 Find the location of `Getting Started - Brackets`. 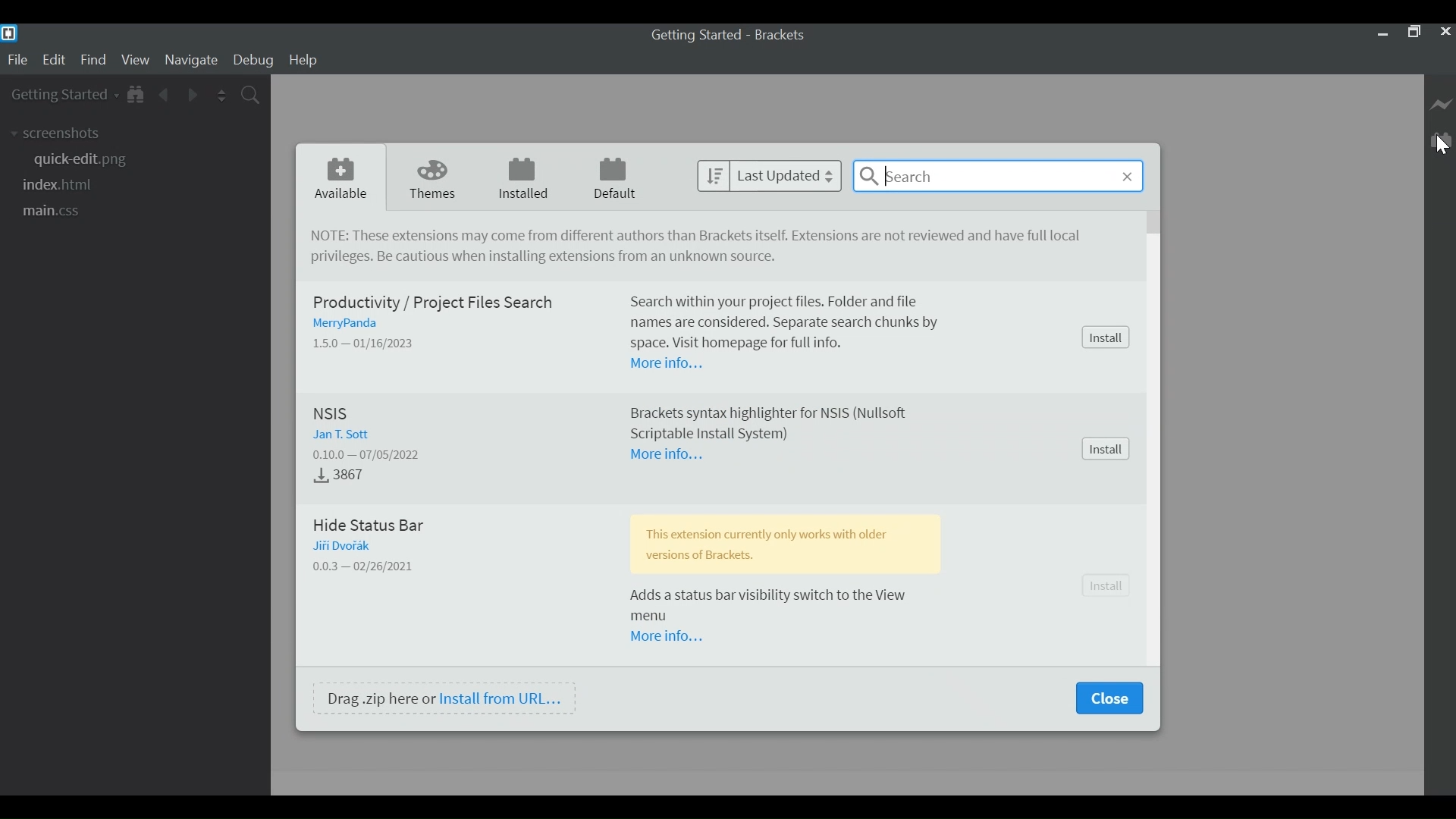

Getting Started - Brackets is located at coordinates (724, 35).